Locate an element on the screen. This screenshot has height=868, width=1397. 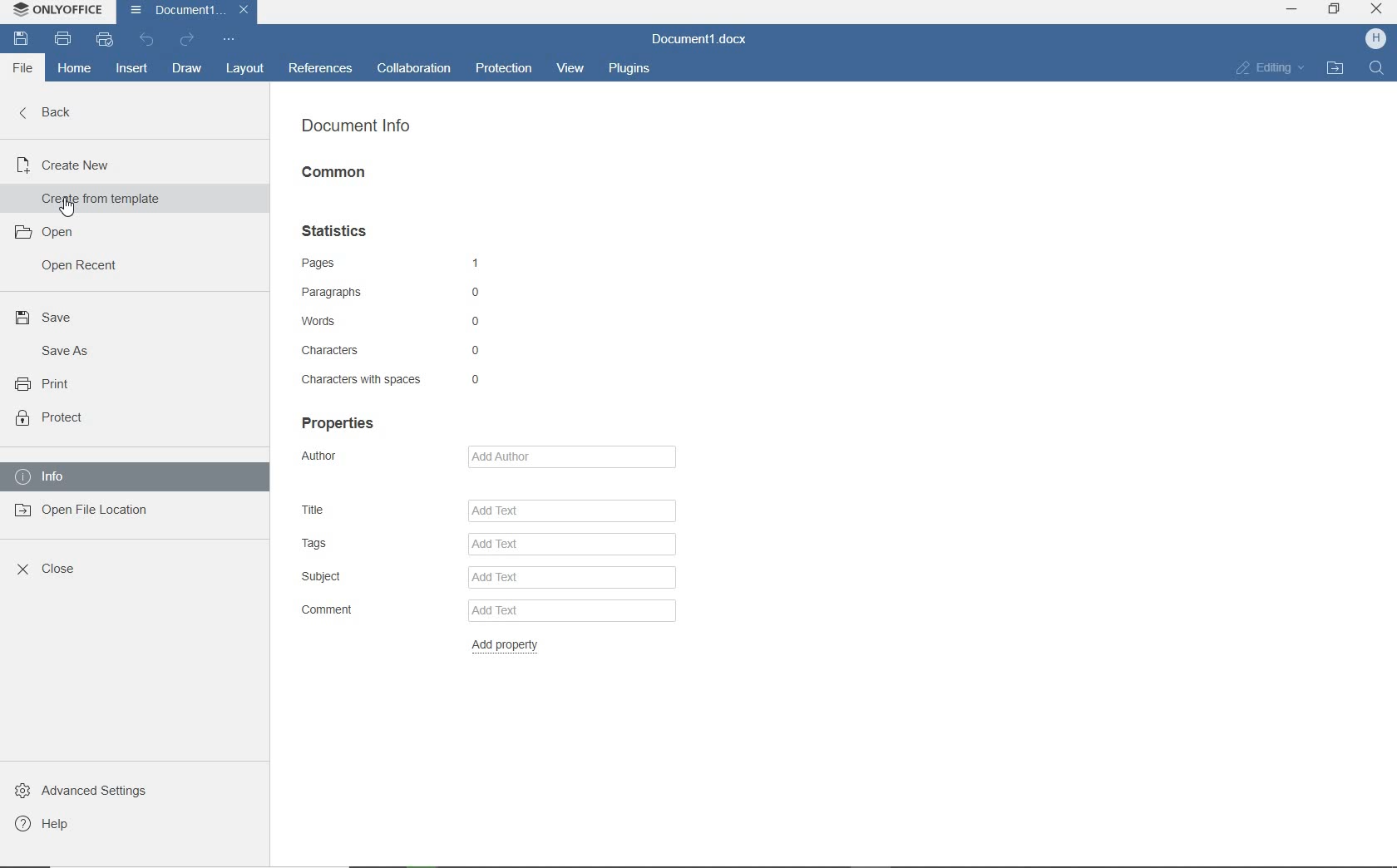
properties is located at coordinates (341, 422).